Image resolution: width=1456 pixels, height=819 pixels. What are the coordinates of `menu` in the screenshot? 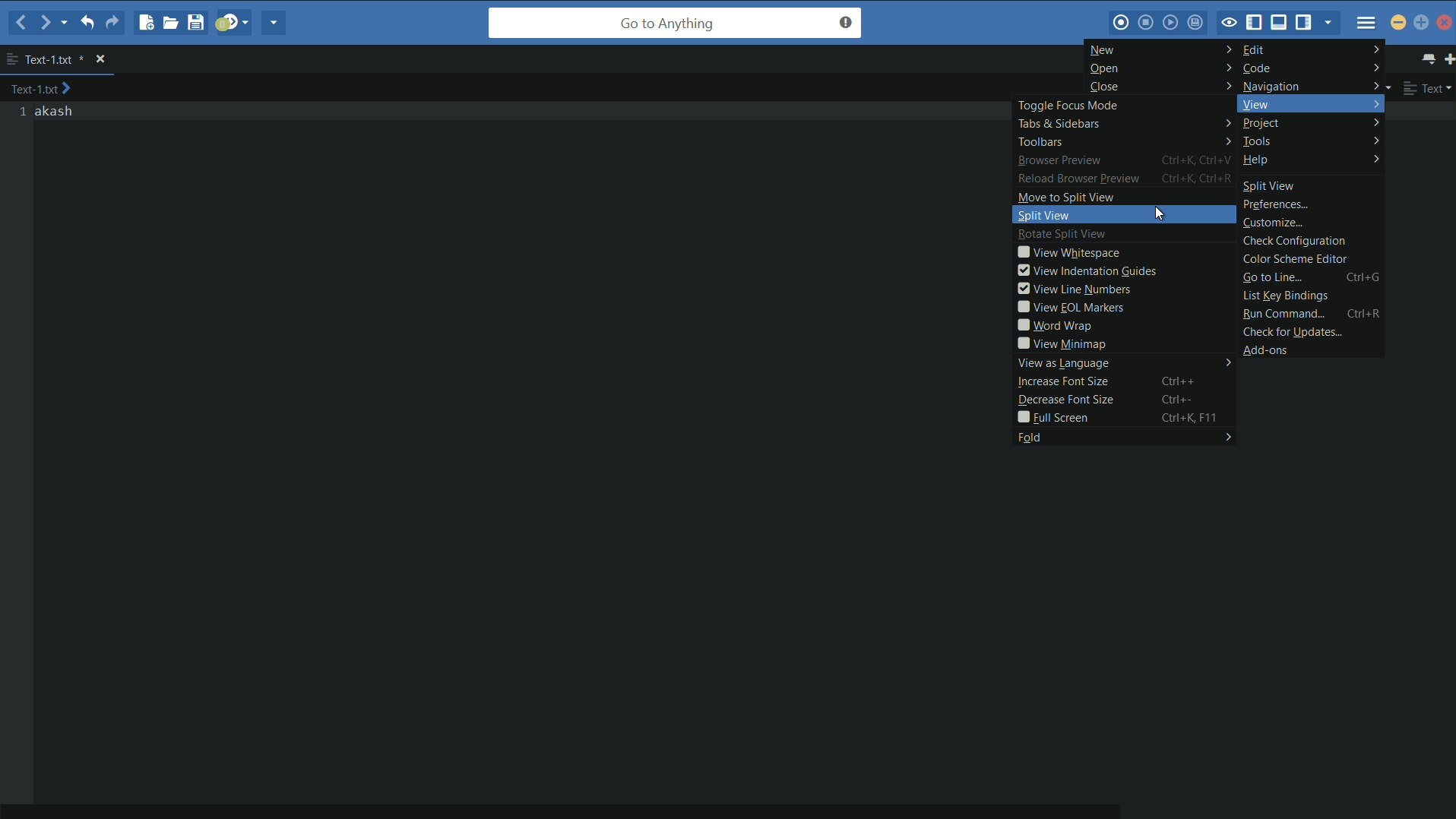 It's located at (1366, 23).